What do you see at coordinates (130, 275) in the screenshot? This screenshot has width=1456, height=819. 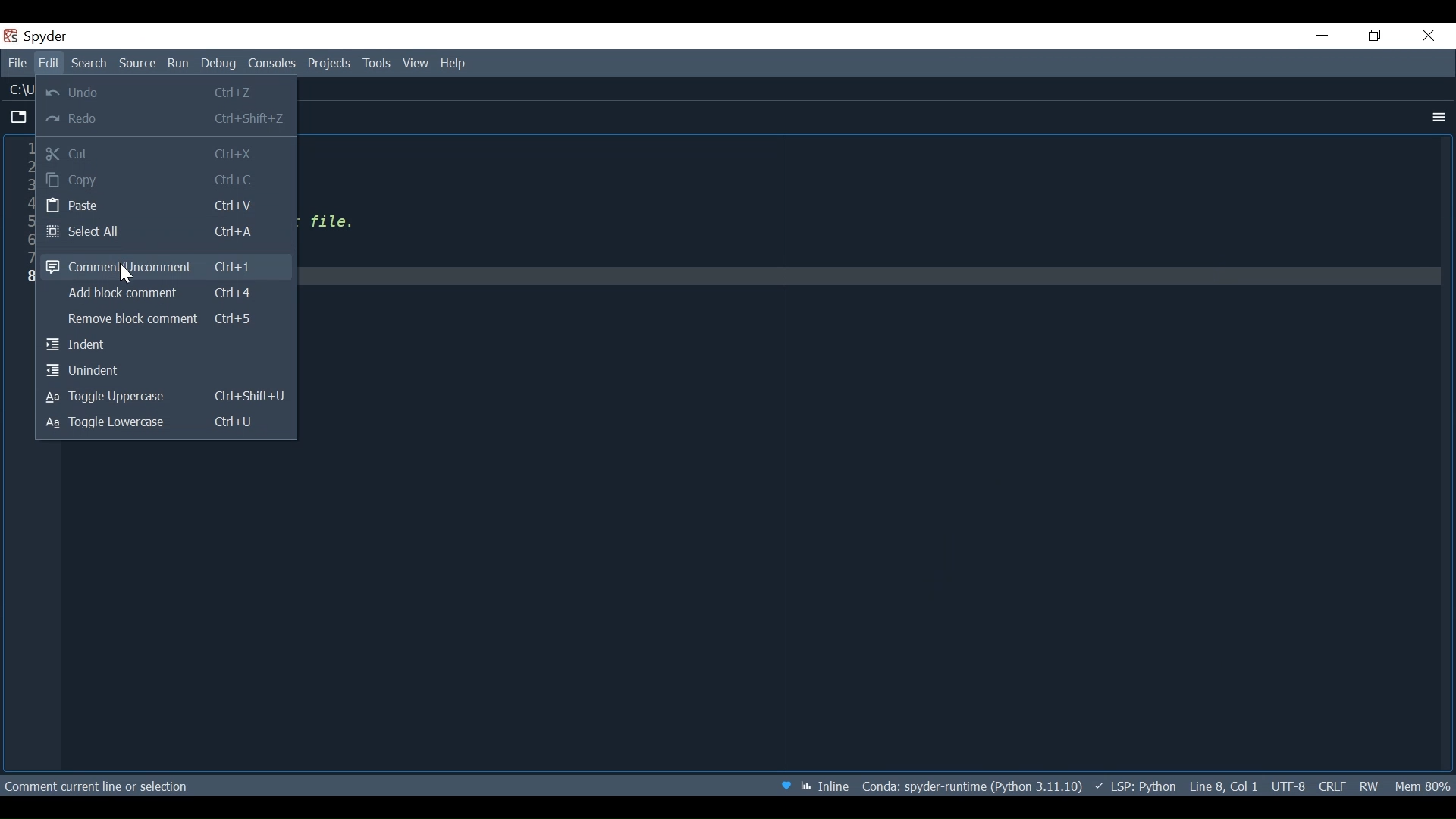 I see `Cursor` at bounding box center [130, 275].